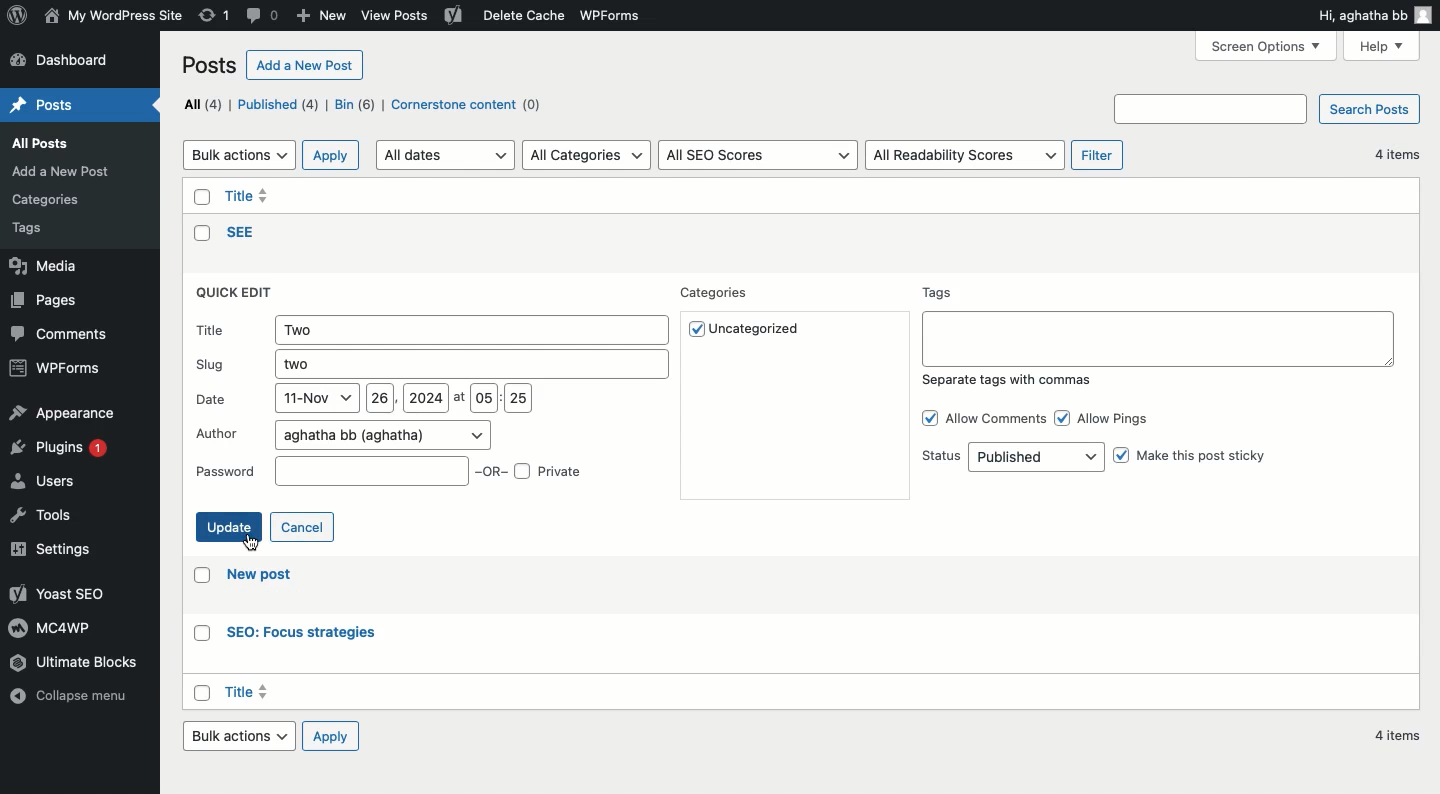  Describe the element at coordinates (520, 16) in the screenshot. I see `Delete cache` at that location.